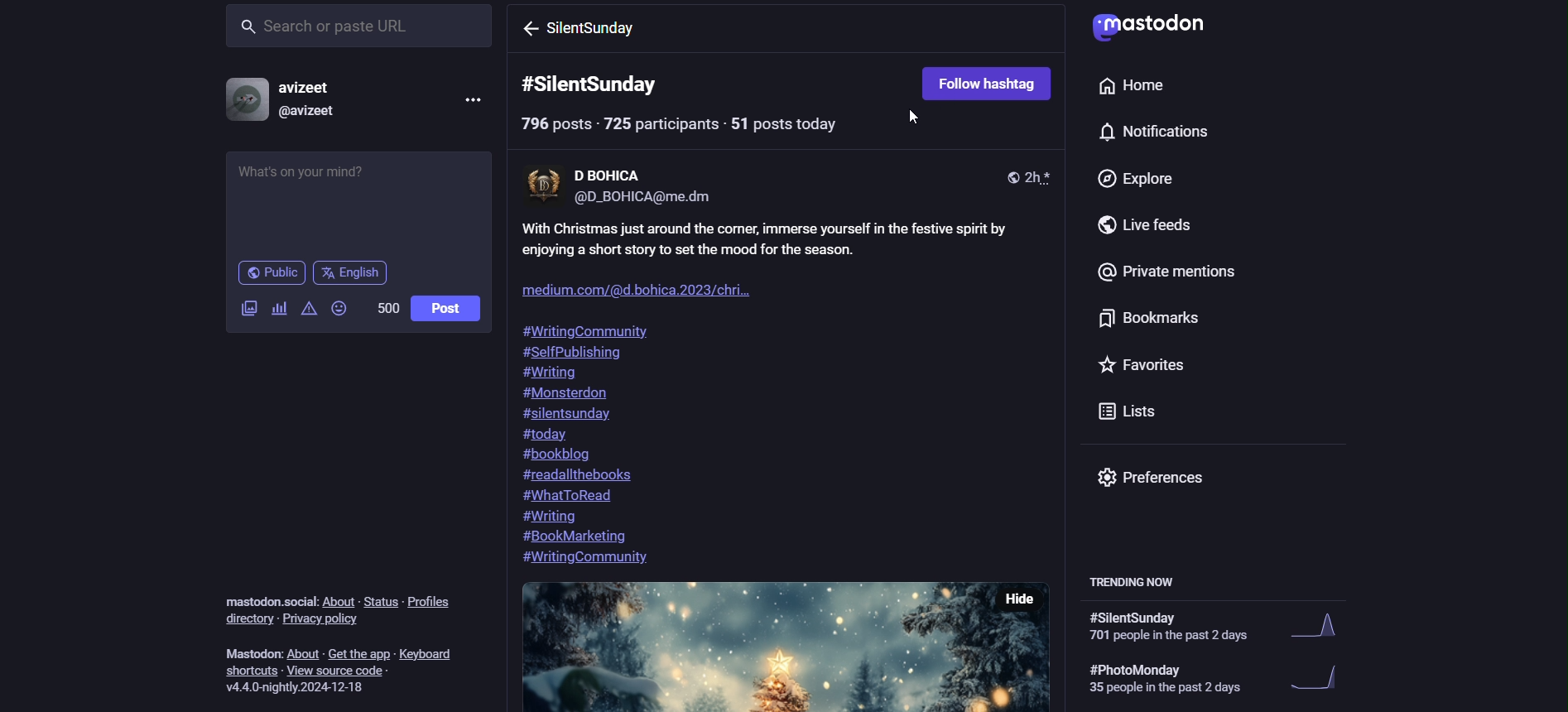 The width and height of the screenshot is (1568, 712). What do you see at coordinates (649, 200) in the screenshot?
I see `@D_BOHICA@me.dm` at bounding box center [649, 200].